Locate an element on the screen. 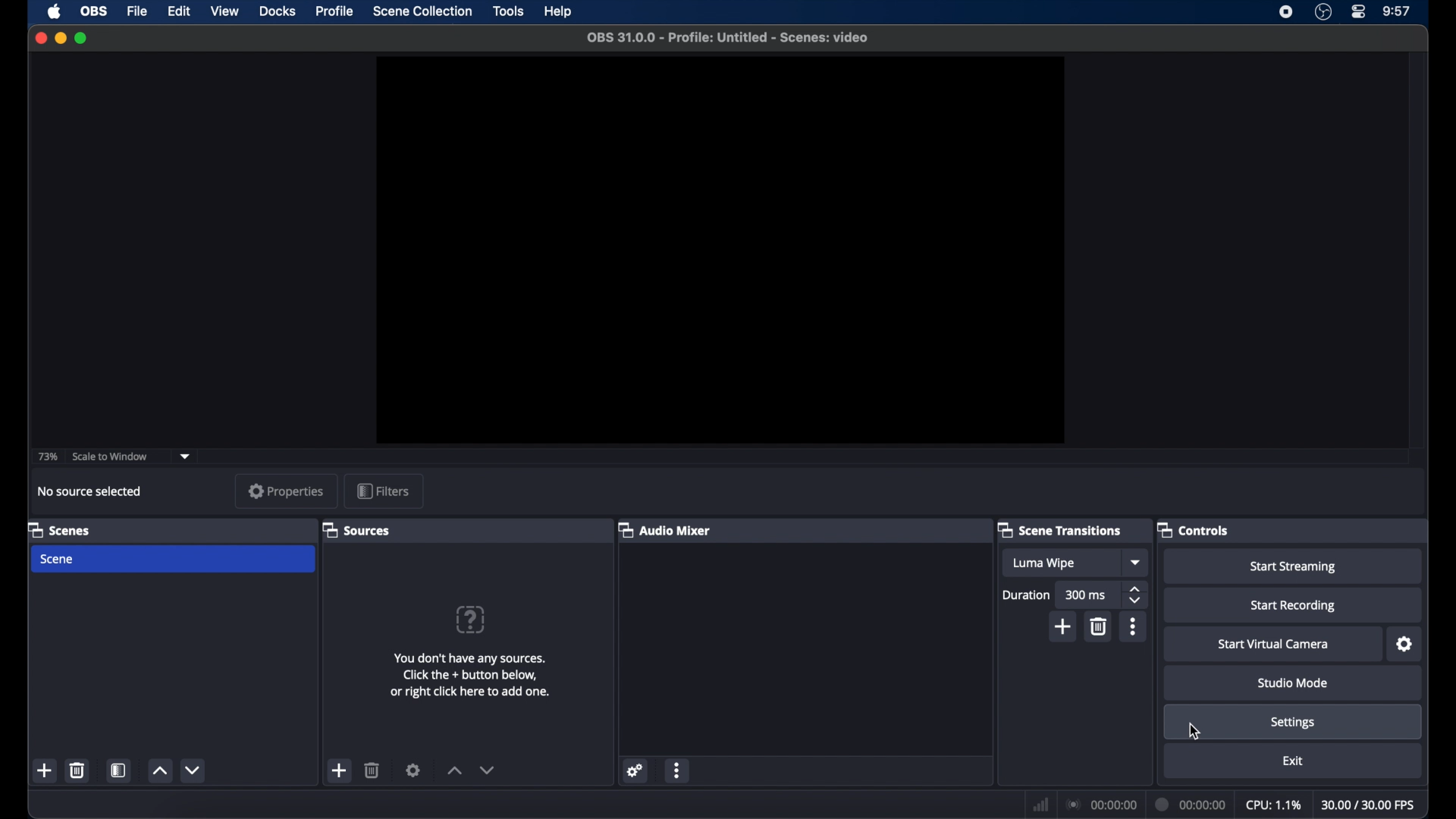 The image size is (1456, 819). decrement is located at coordinates (487, 770).